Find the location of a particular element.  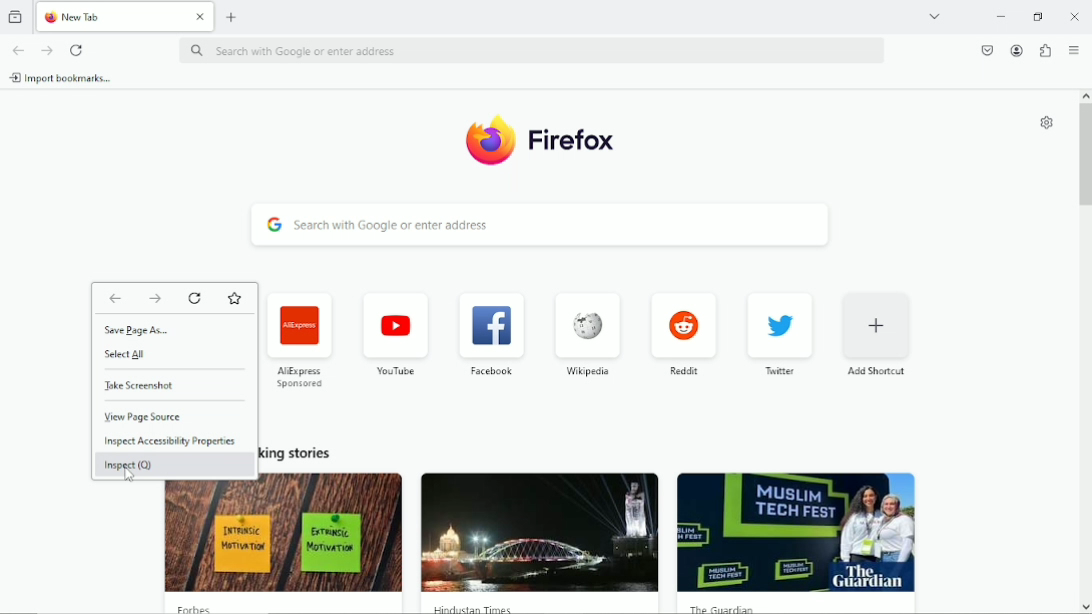

New tab is located at coordinates (232, 18).